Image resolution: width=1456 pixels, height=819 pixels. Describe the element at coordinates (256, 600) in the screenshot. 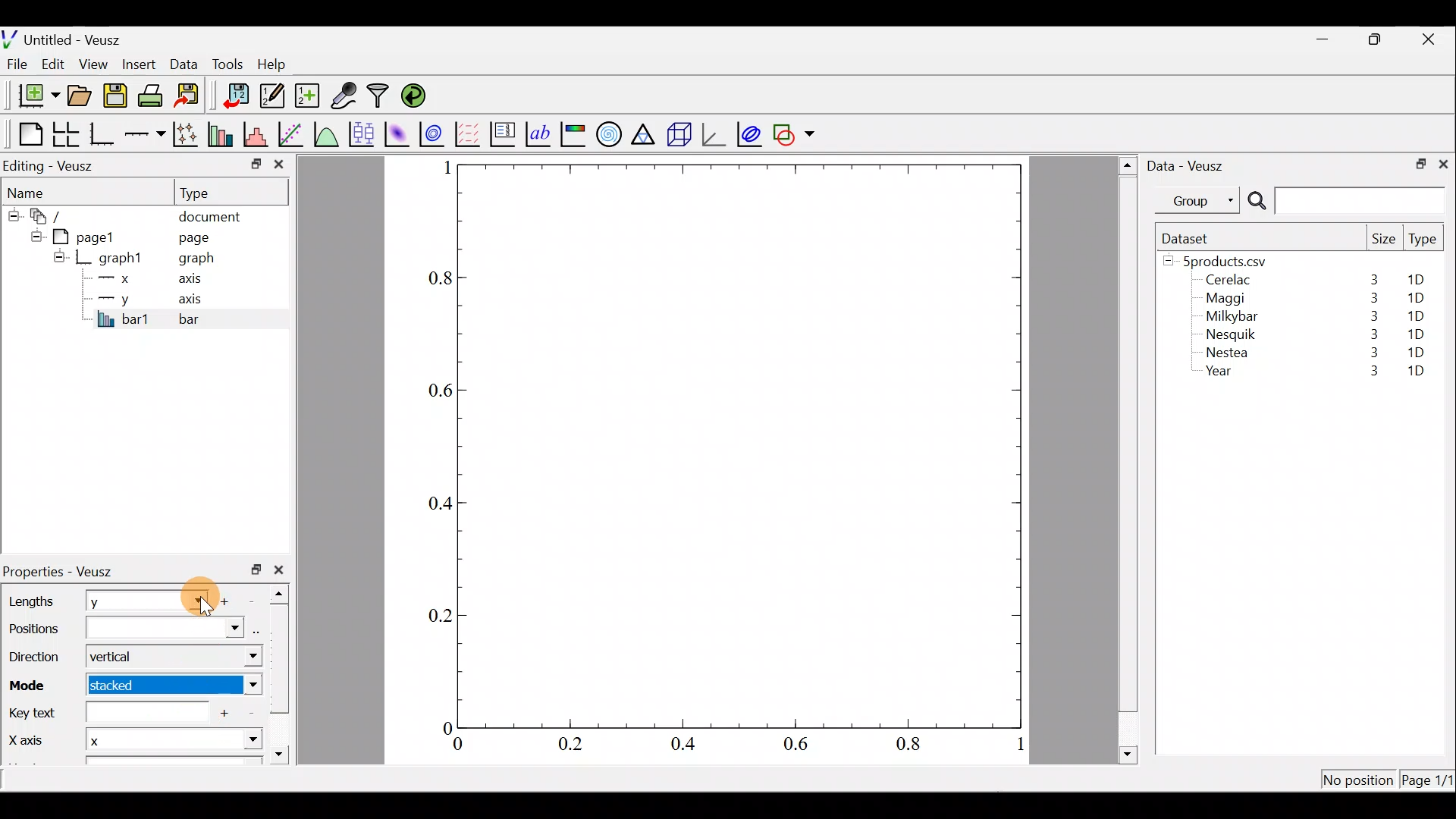

I see `Remove item` at that location.